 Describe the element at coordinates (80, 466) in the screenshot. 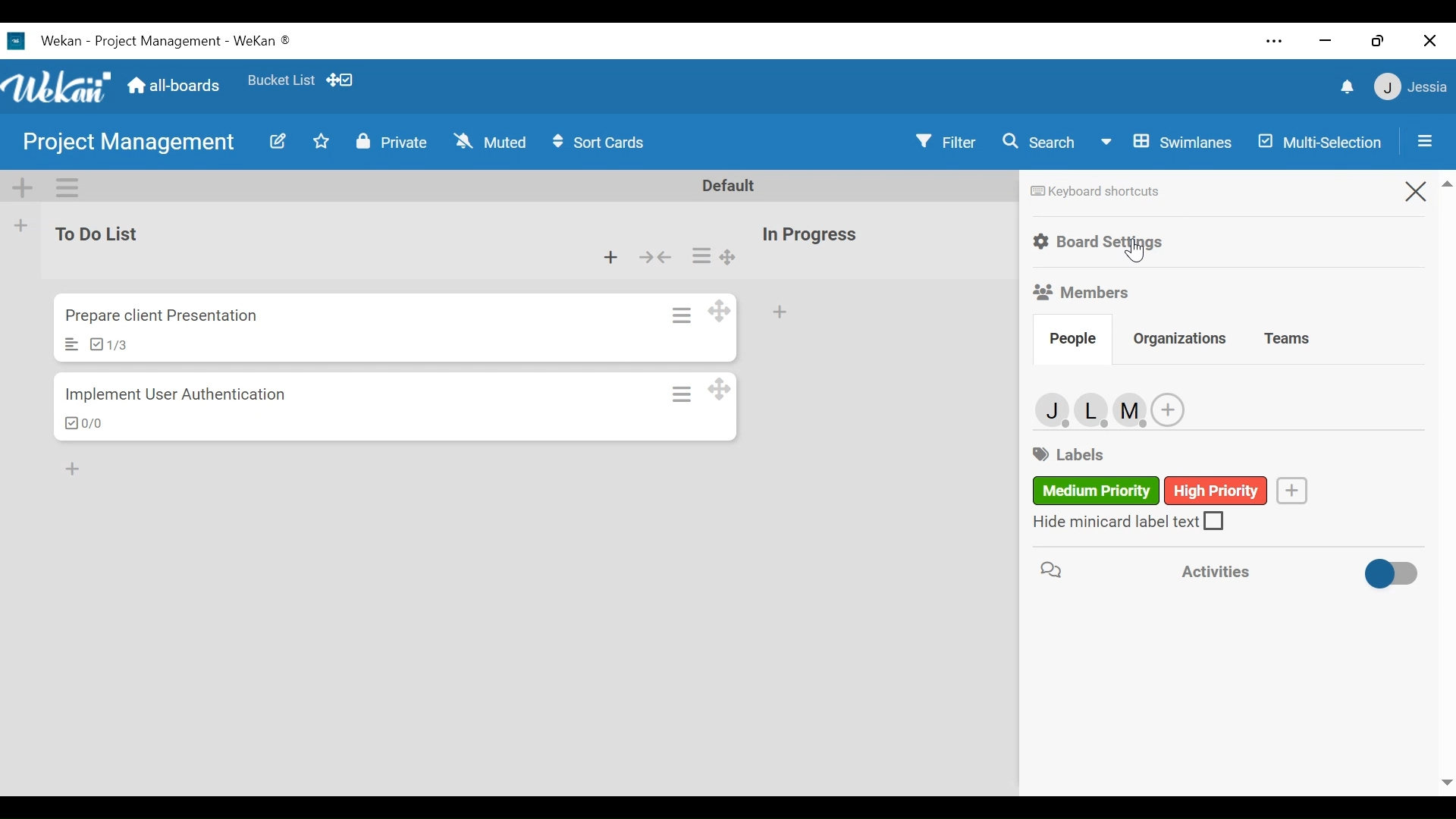

I see `add` at that location.